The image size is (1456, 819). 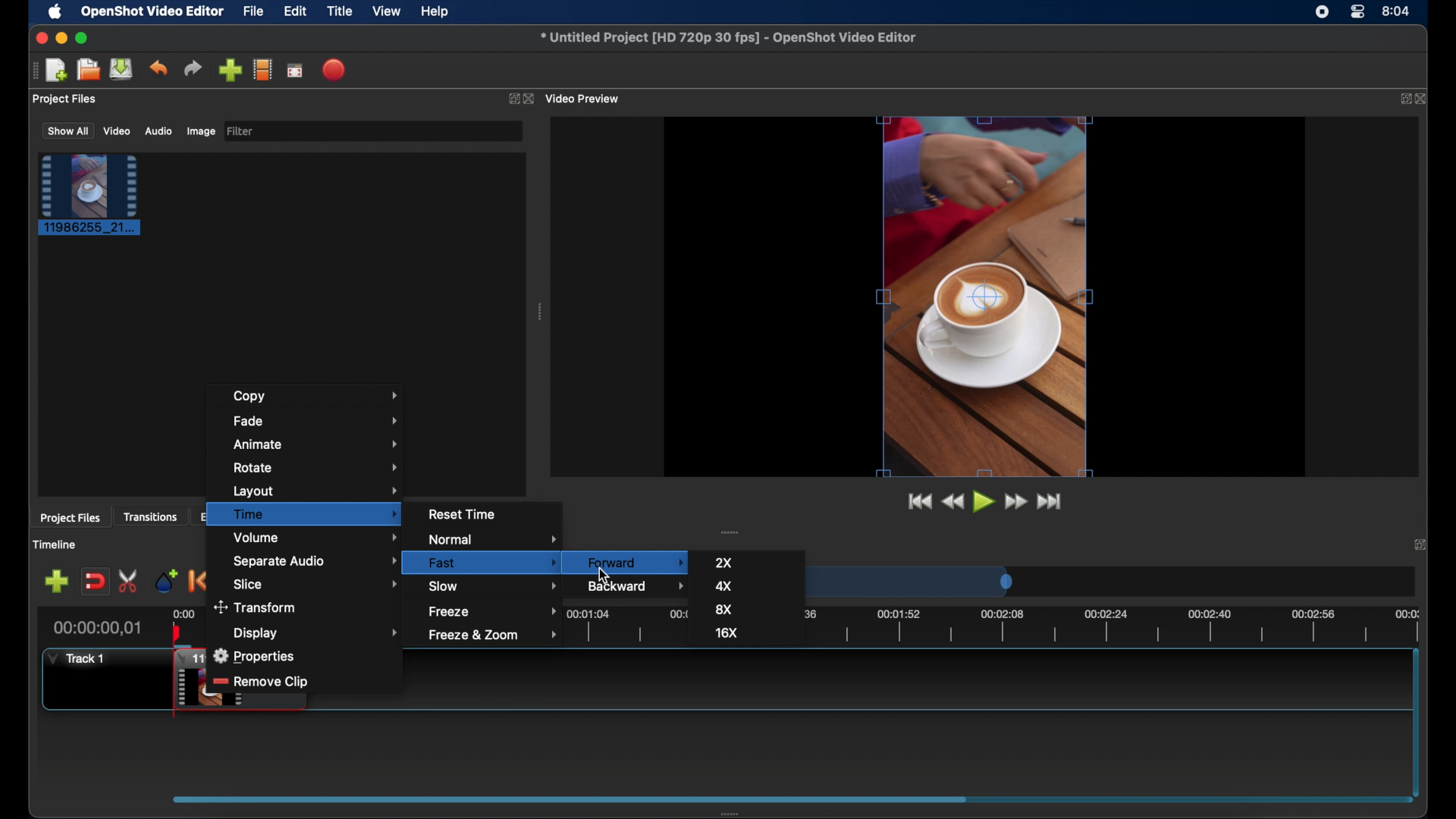 I want to click on slice menu, so click(x=317, y=584).